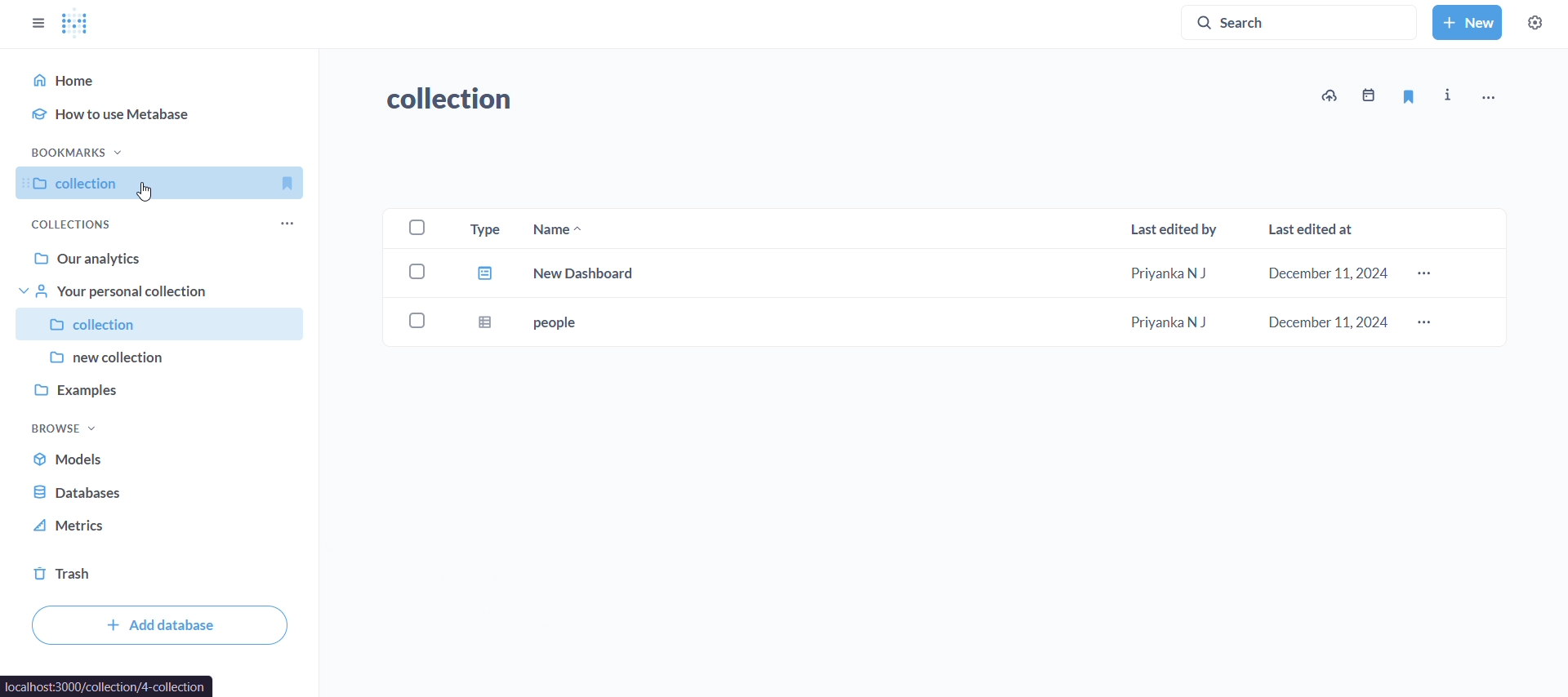 Image resolution: width=1568 pixels, height=697 pixels. What do you see at coordinates (1327, 273) in the screenshot?
I see `December 11,2024` at bounding box center [1327, 273].